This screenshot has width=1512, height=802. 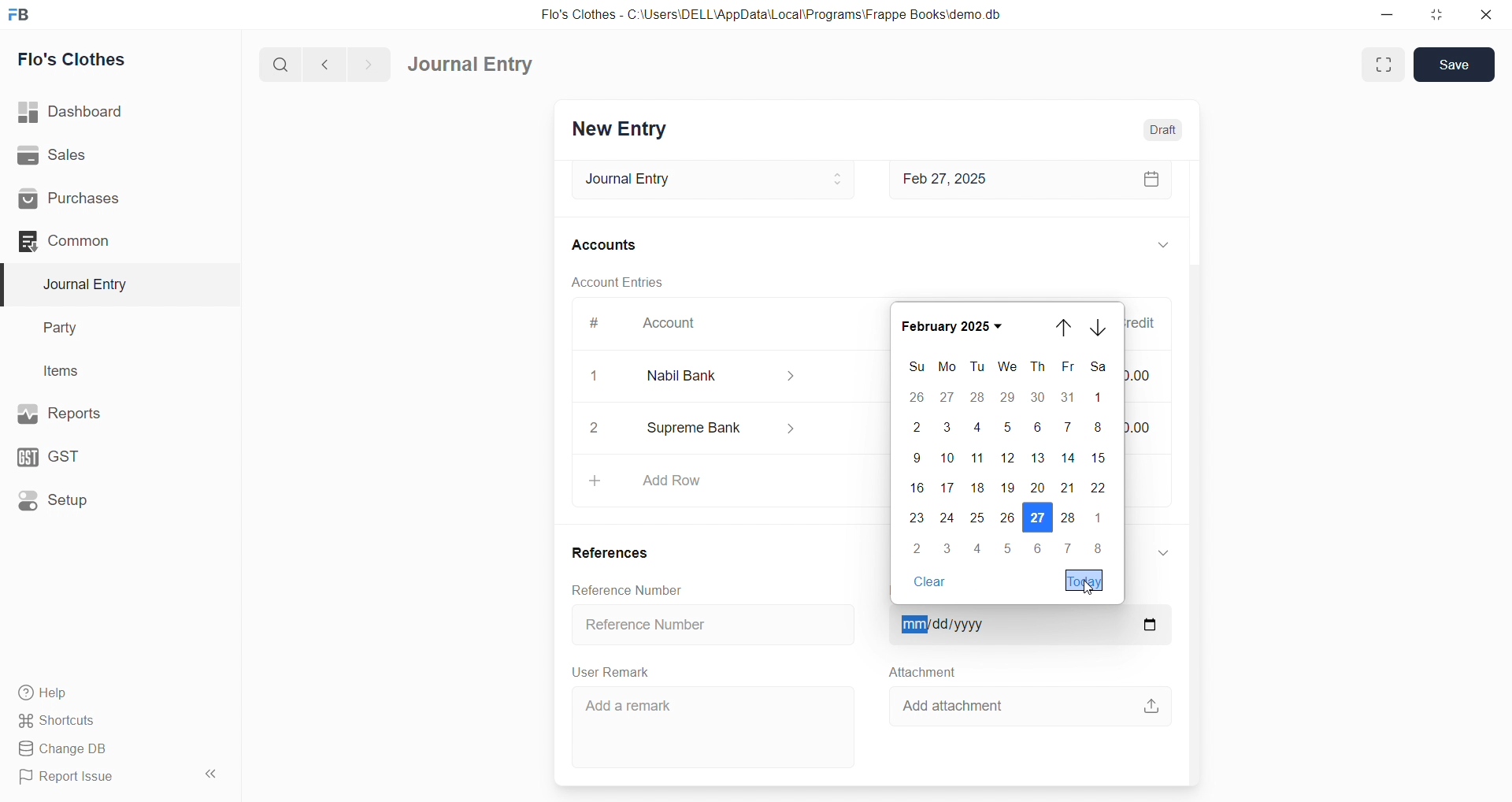 What do you see at coordinates (471, 64) in the screenshot?
I see `Journal Entry` at bounding box center [471, 64].